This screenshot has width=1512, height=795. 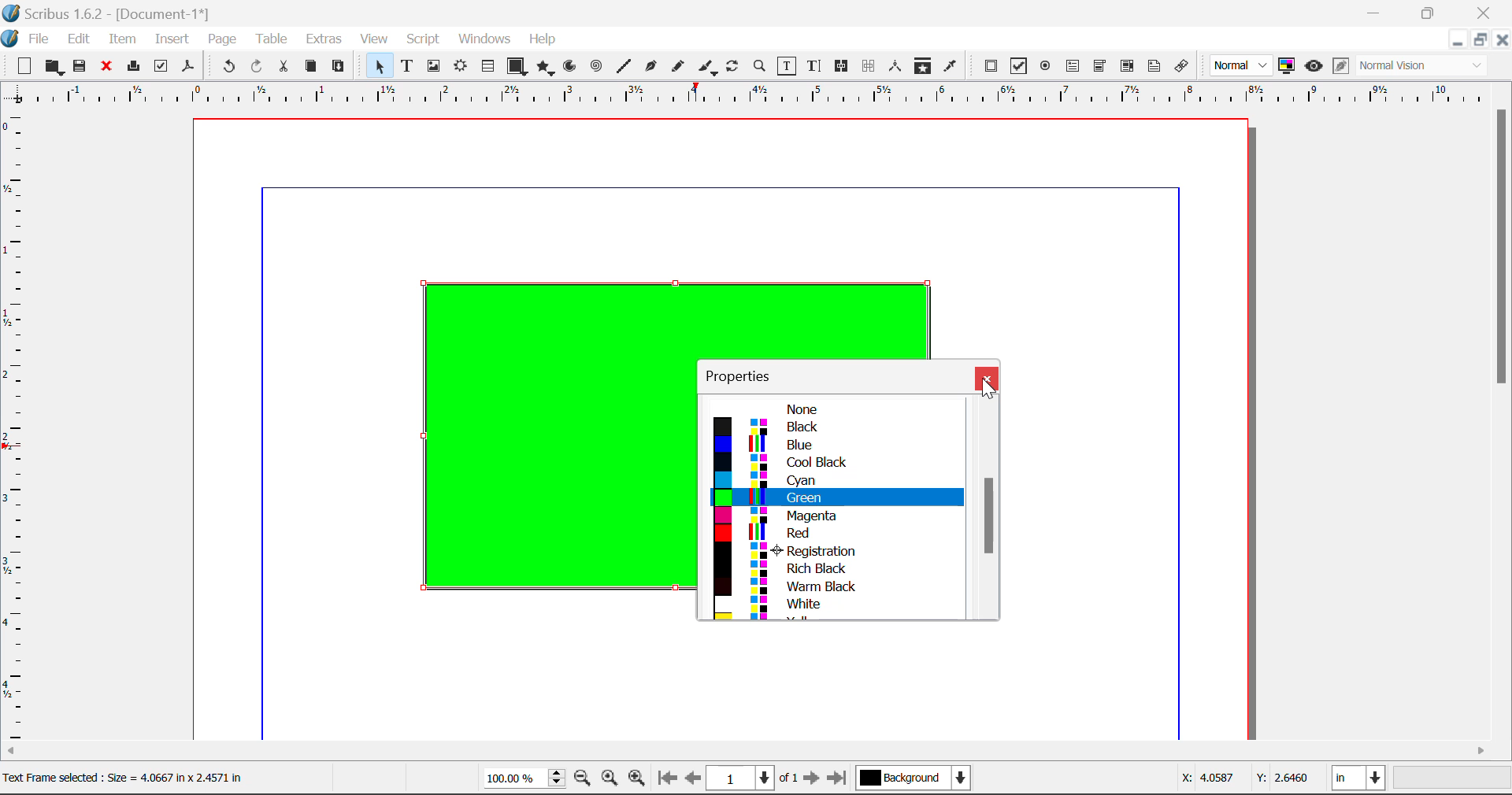 I want to click on Pre-flight Verifier, so click(x=161, y=66).